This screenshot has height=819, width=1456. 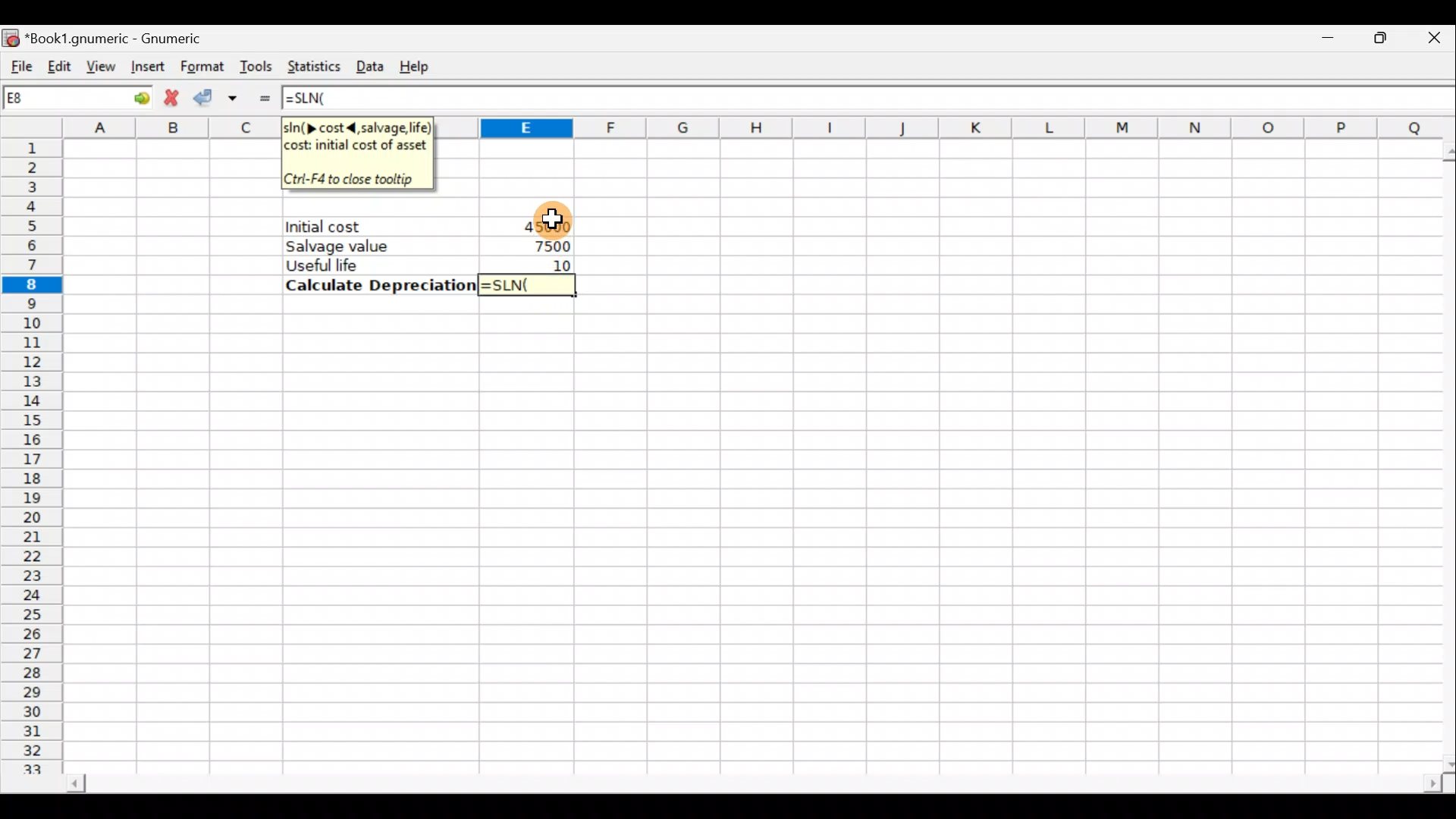 What do you see at coordinates (376, 285) in the screenshot?
I see `Calculate Depreciation` at bounding box center [376, 285].